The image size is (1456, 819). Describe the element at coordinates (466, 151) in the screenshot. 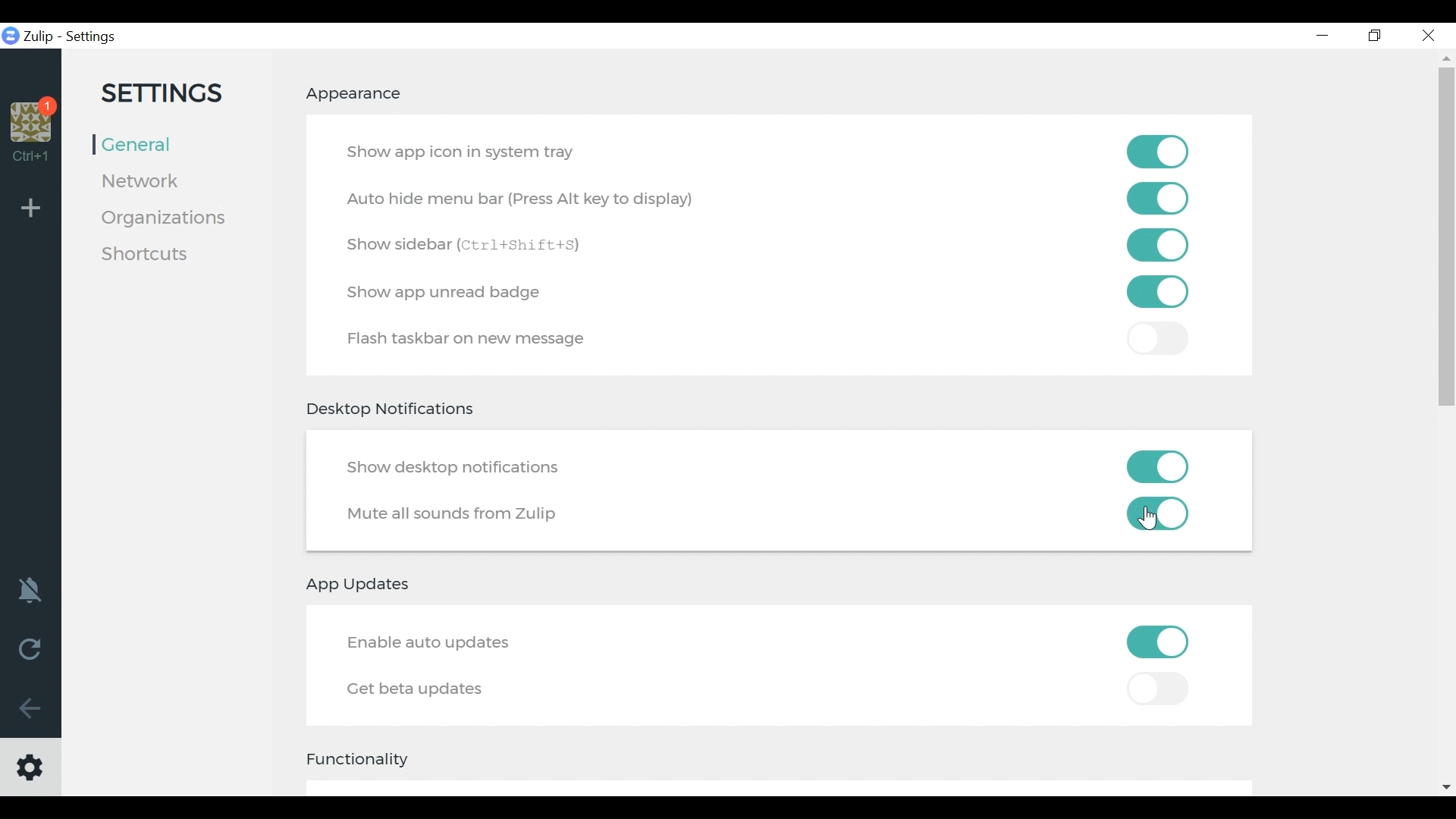

I see `Show app icon in system tray` at that location.